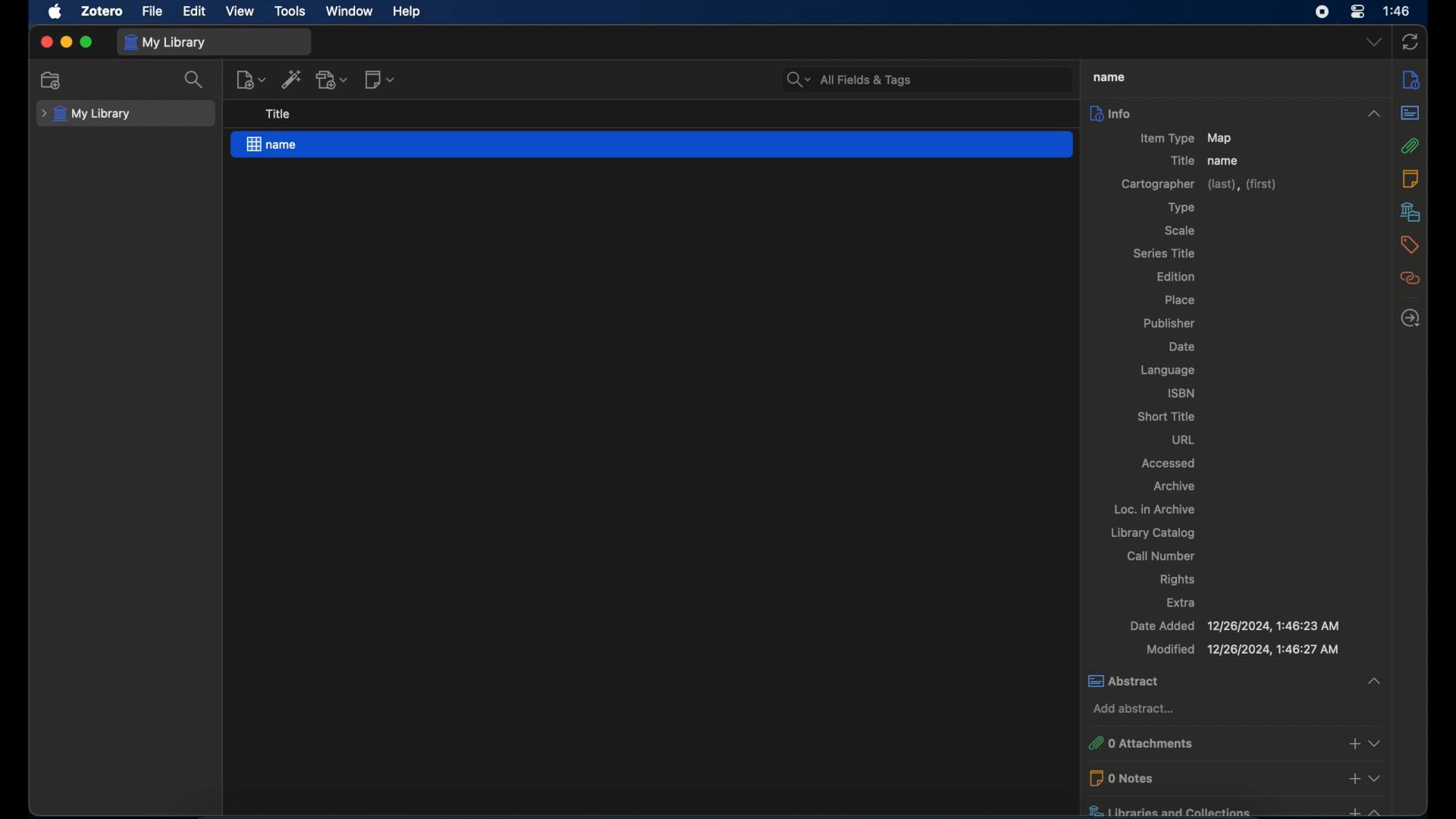 The width and height of the screenshot is (1456, 819). Describe the element at coordinates (1164, 253) in the screenshot. I see `series title` at that location.